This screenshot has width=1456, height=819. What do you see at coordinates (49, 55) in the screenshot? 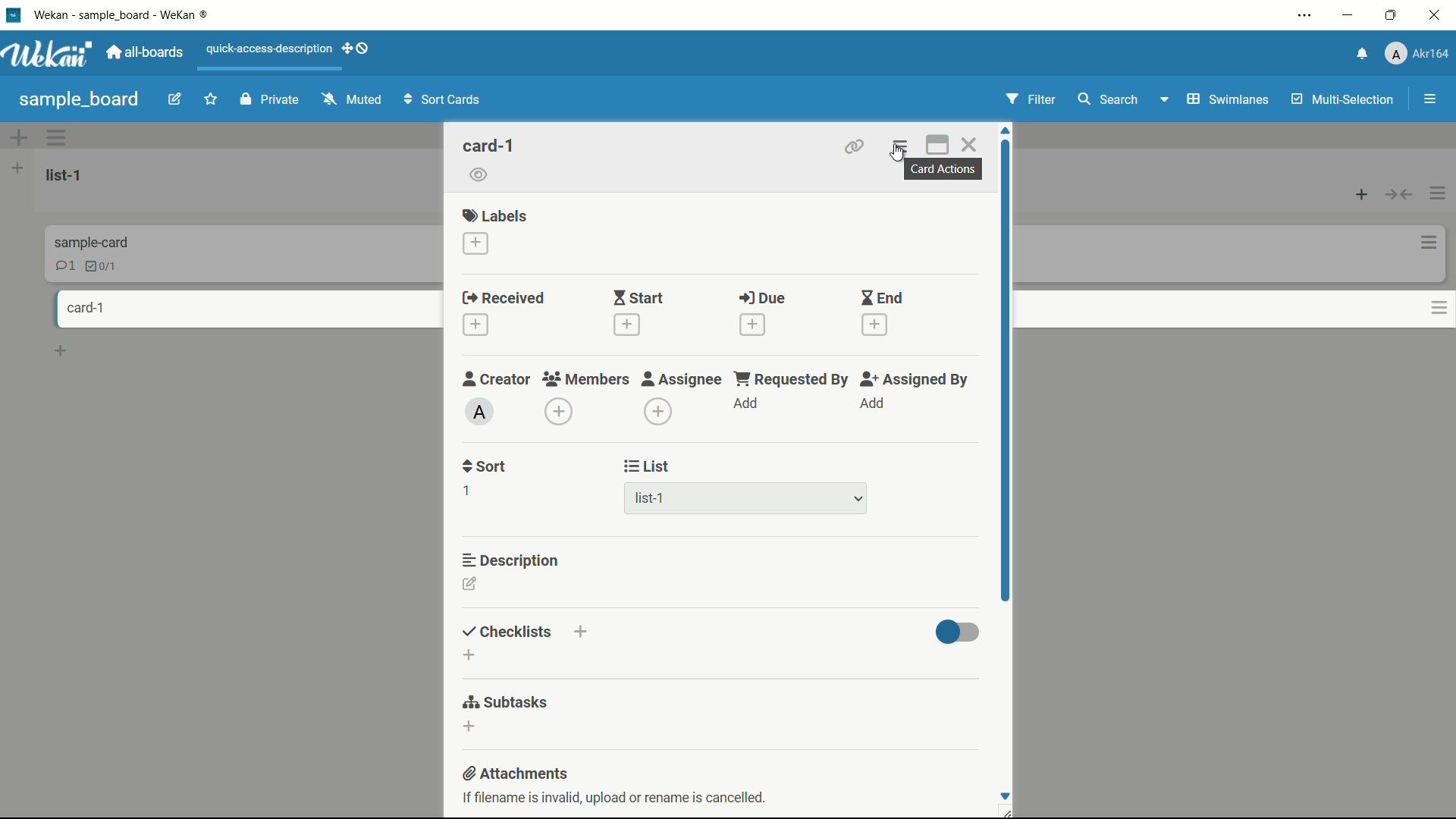
I see `Wekan logo` at bounding box center [49, 55].